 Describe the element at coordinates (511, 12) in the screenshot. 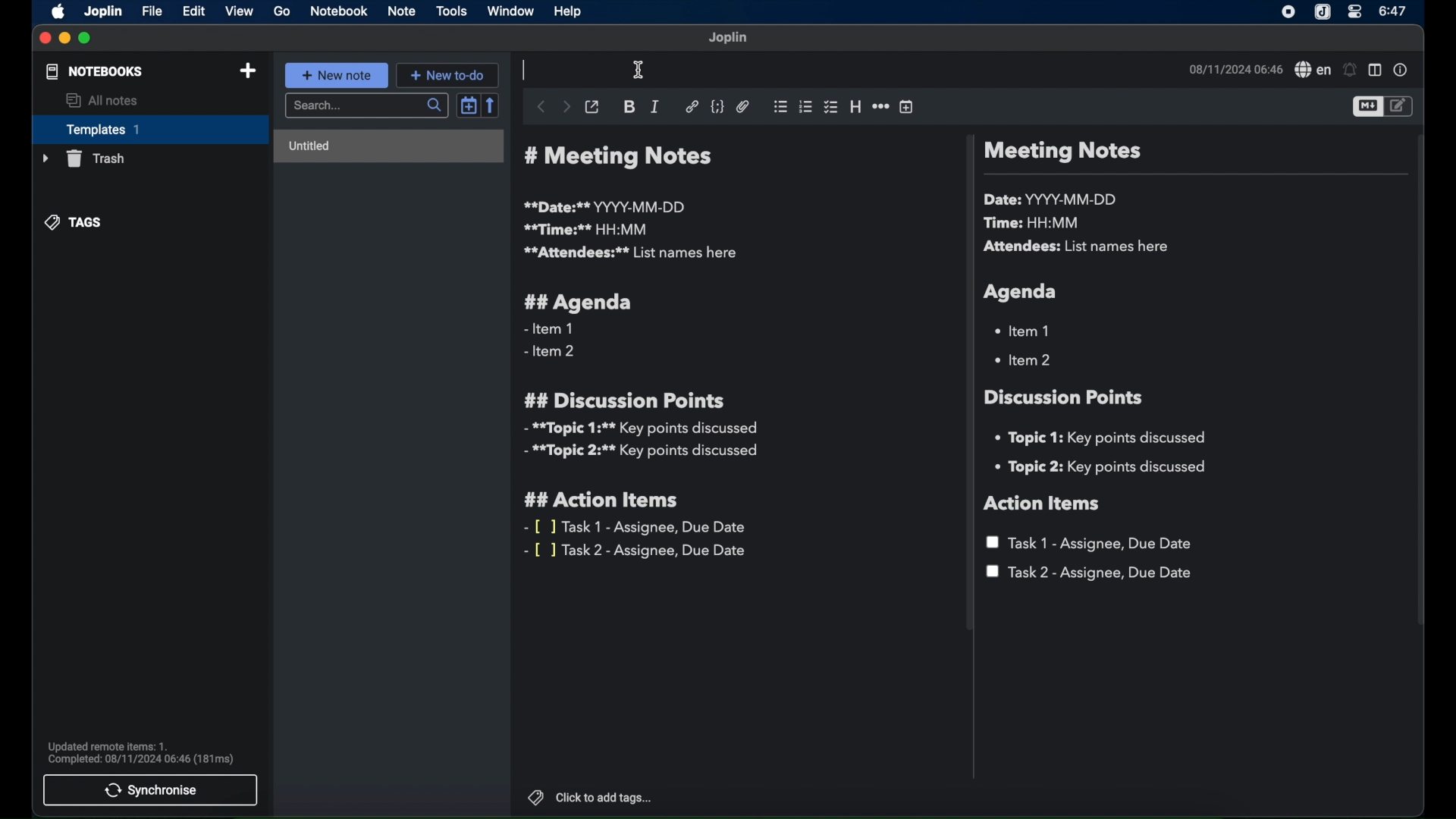

I see `window` at that location.